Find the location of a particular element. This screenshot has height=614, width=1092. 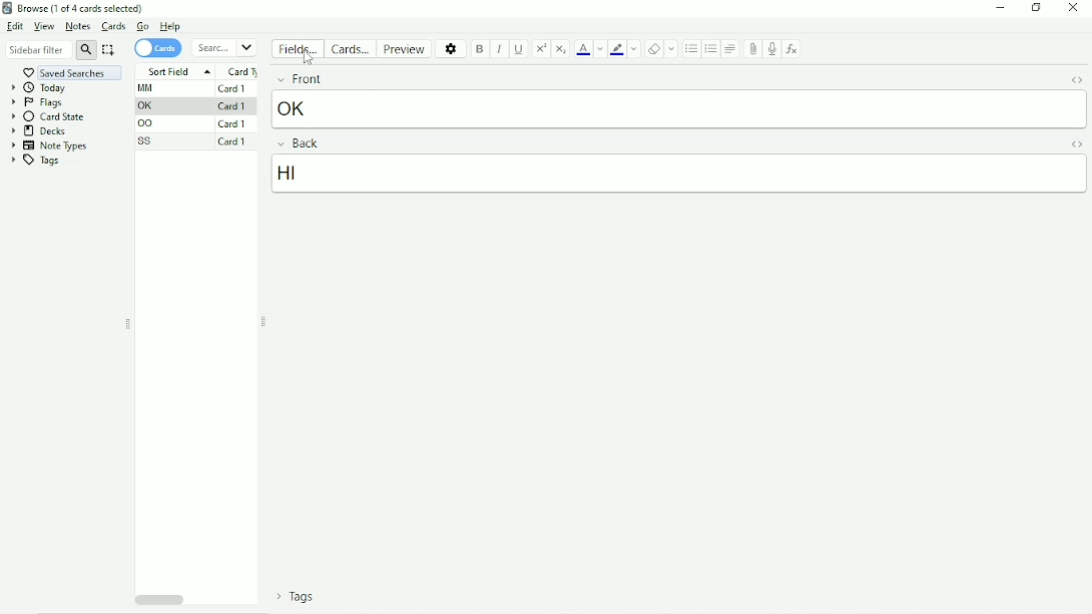

Front is located at coordinates (297, 79).